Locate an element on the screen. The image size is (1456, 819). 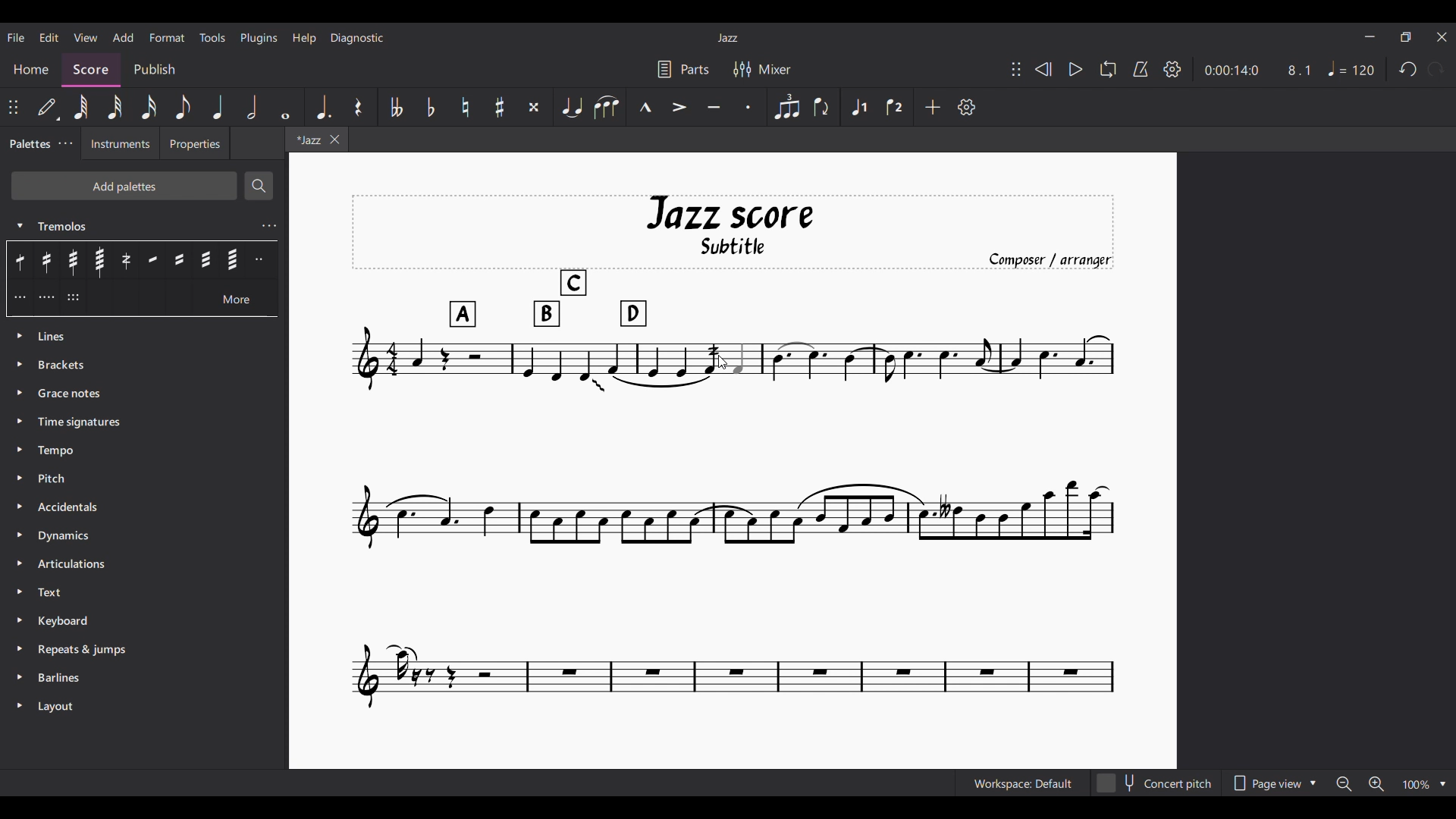
Default is located at coordinates (49, 107).